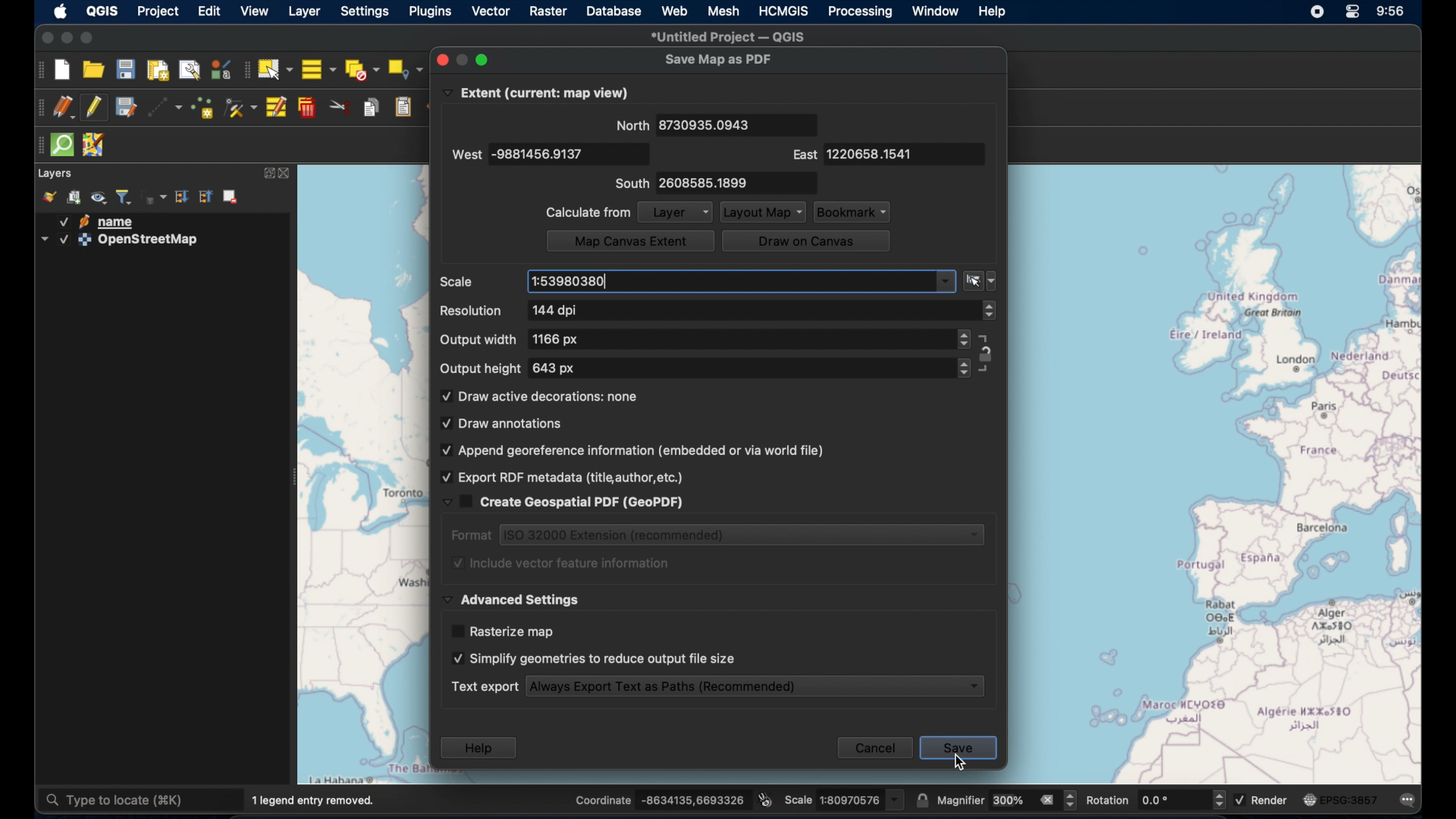 The image size is (1456, 819). I want to click on create geospatial pdf (geopdf), so click(565, 502).